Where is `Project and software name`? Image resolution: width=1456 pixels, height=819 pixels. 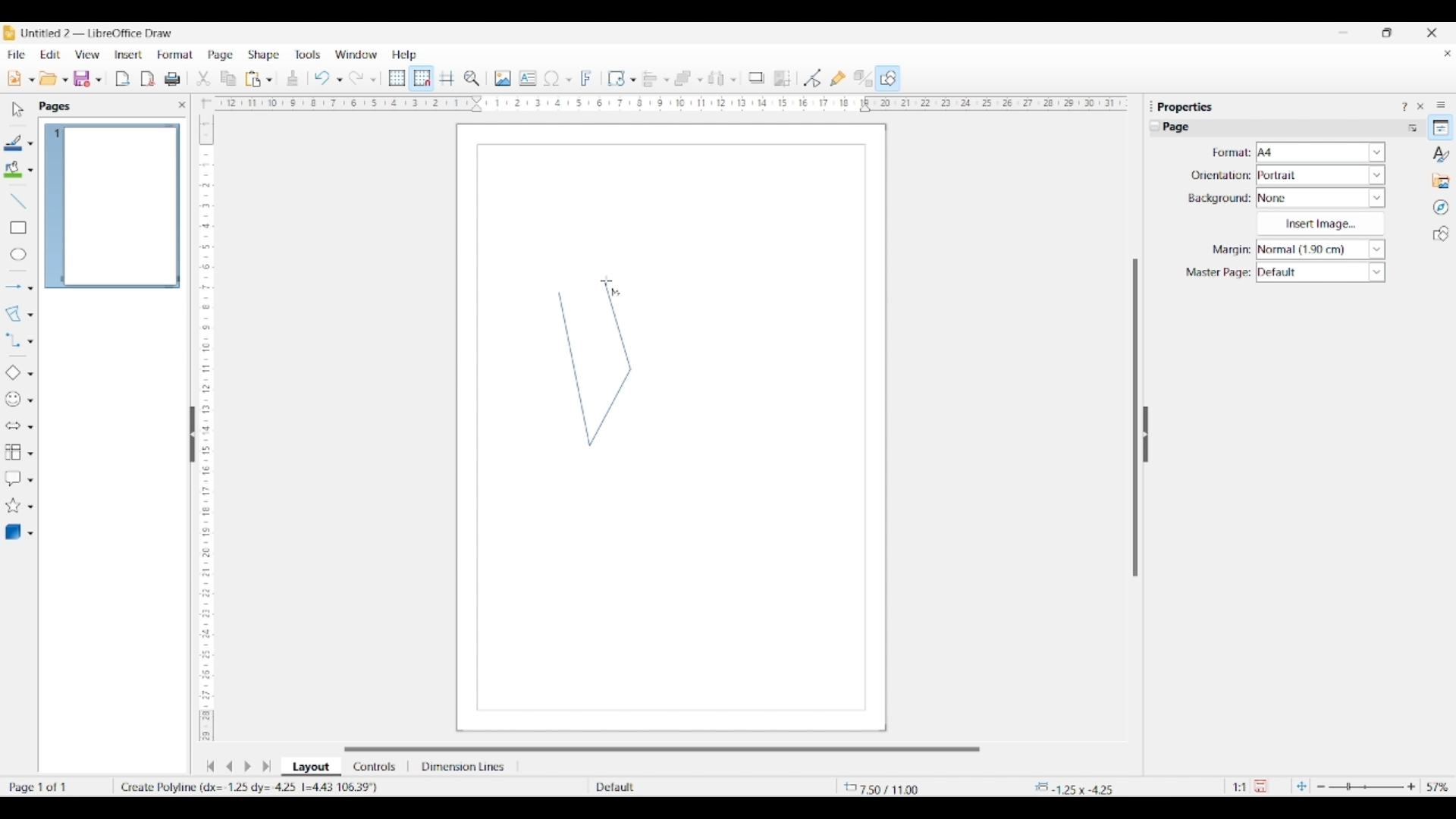 Project and software name is located at coordinates (98, 33).